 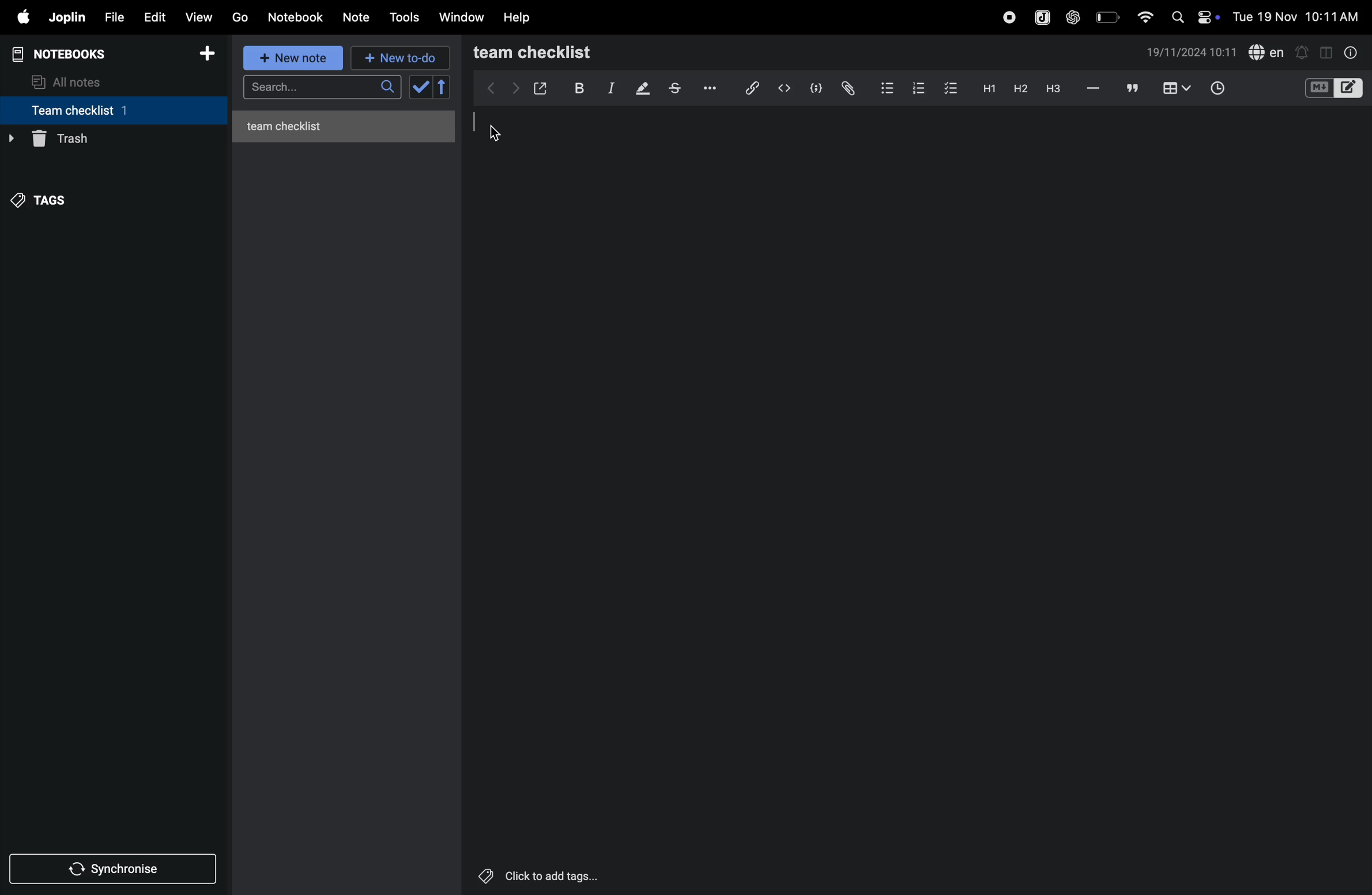 I want to click on notebooks, so click(x=66, y=52).